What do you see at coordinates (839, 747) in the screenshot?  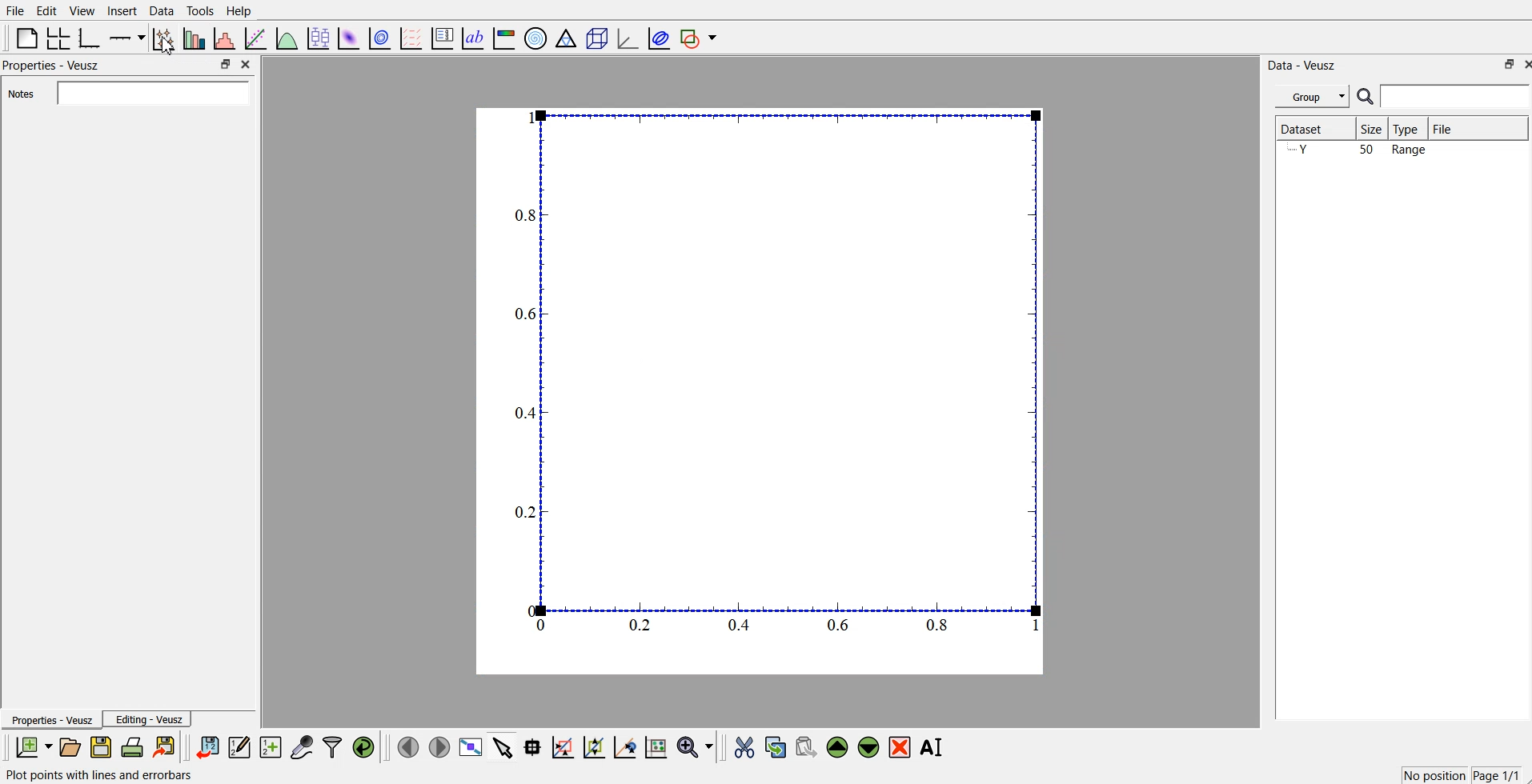 I see `move the selected widgets up` at bounding box center [839, 747].